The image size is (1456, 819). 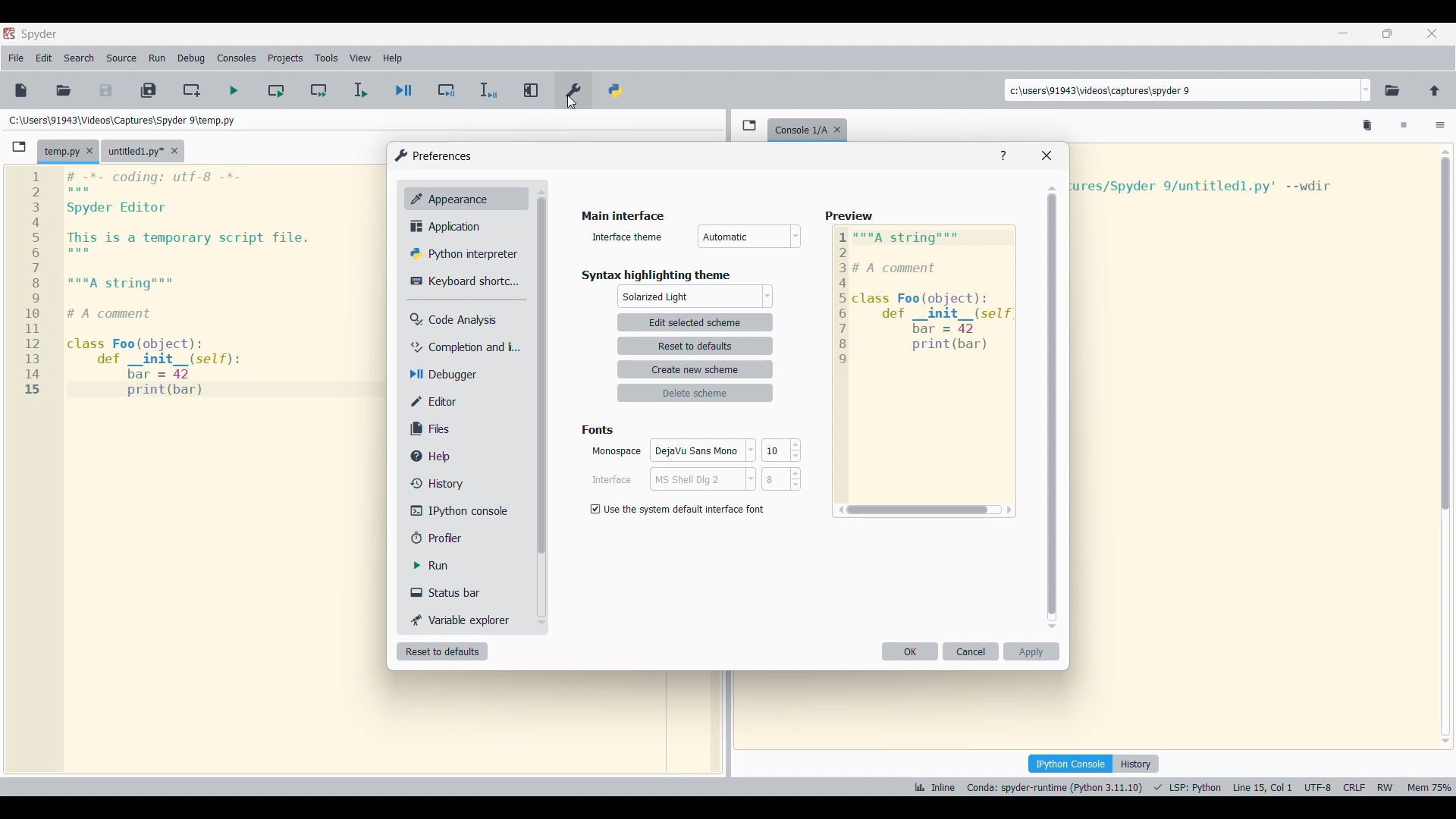 What do you see at coordinates (1070, 764) in the screenshot?
I see `IPython console` at bounding box center [1070, 764].